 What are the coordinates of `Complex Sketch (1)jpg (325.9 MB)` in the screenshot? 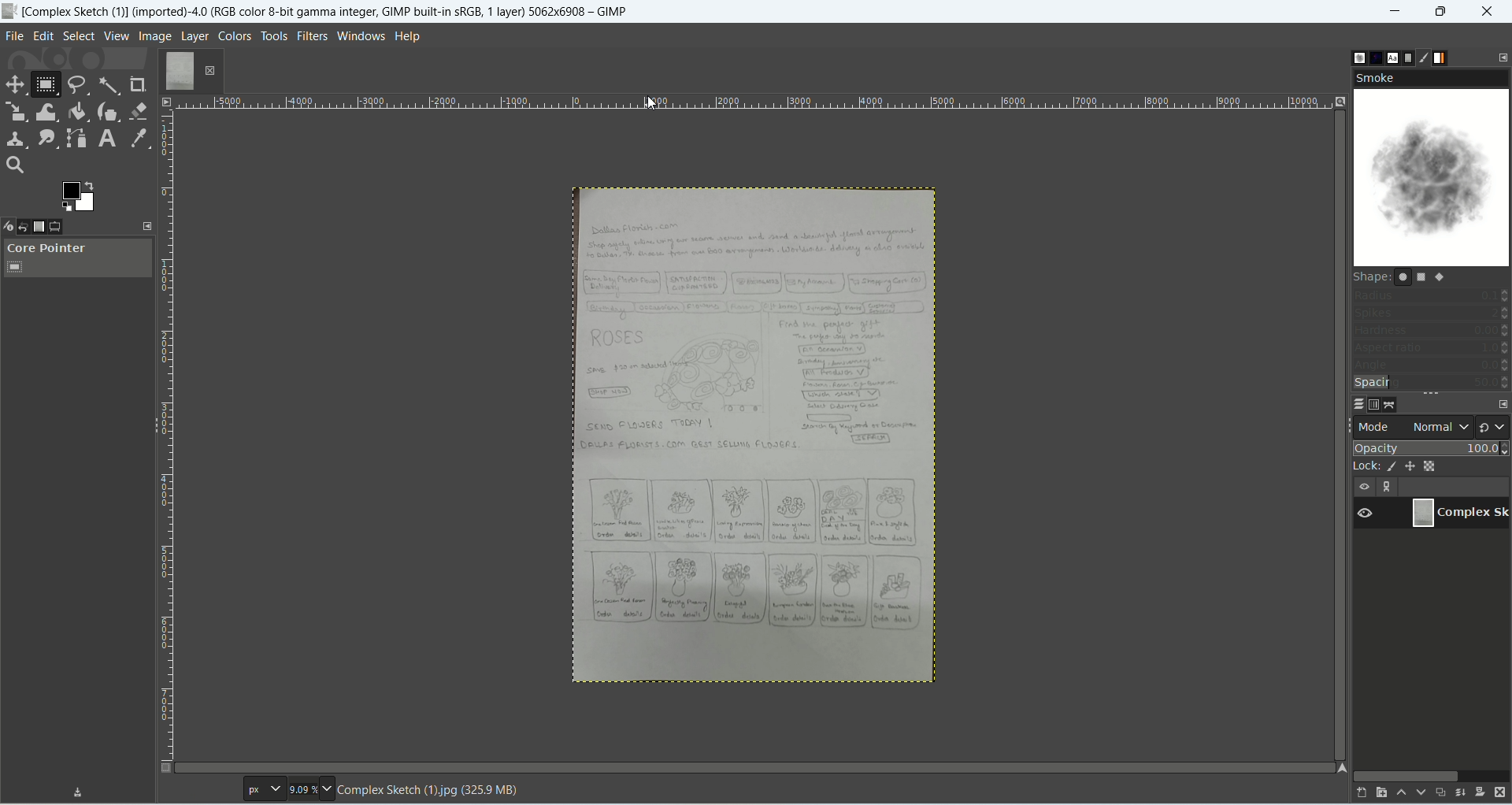 It's located at (433, 791).